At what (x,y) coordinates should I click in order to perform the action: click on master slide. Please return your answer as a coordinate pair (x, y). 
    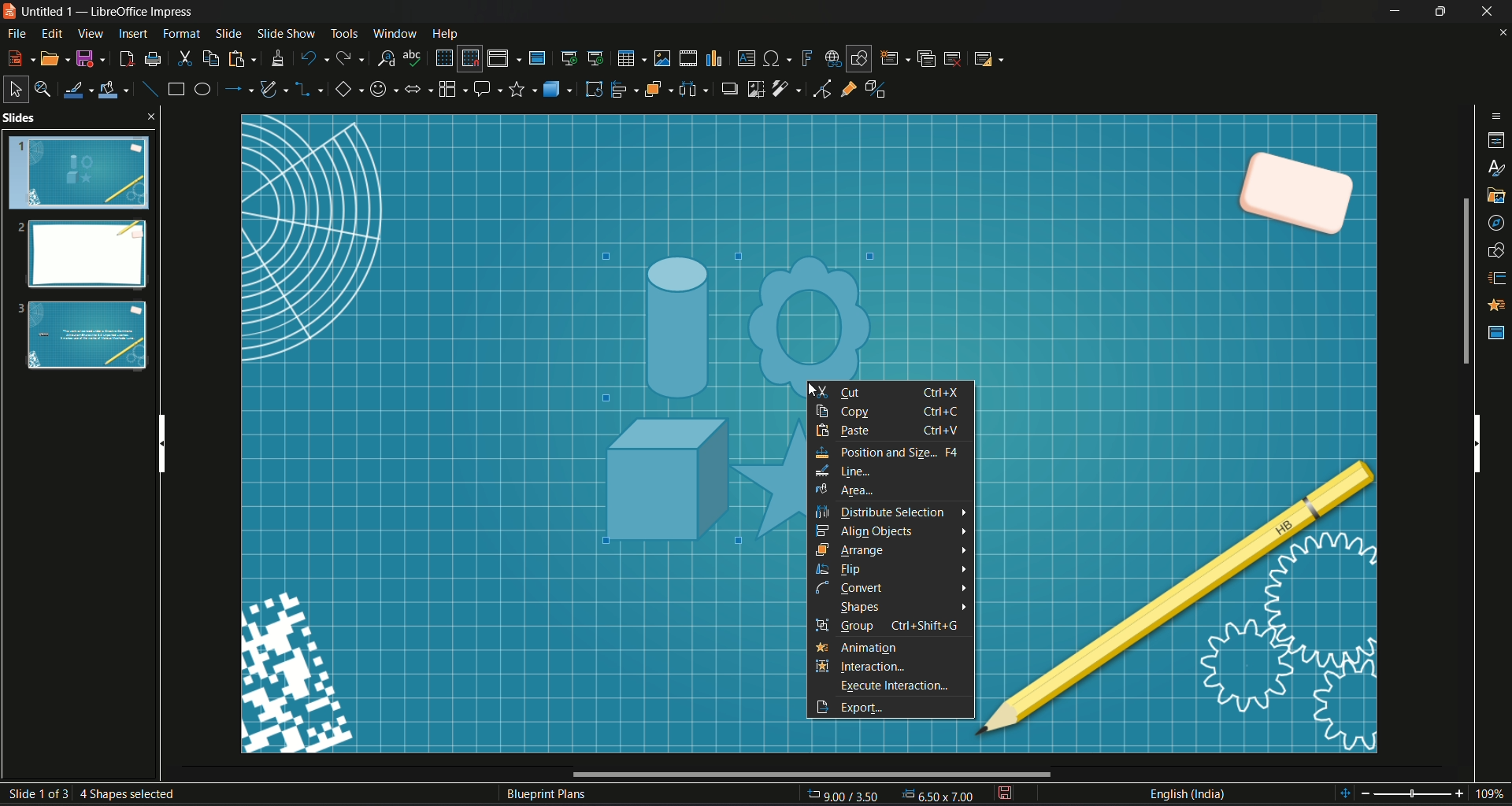
    Looking at the image, I should click on (536, 57).